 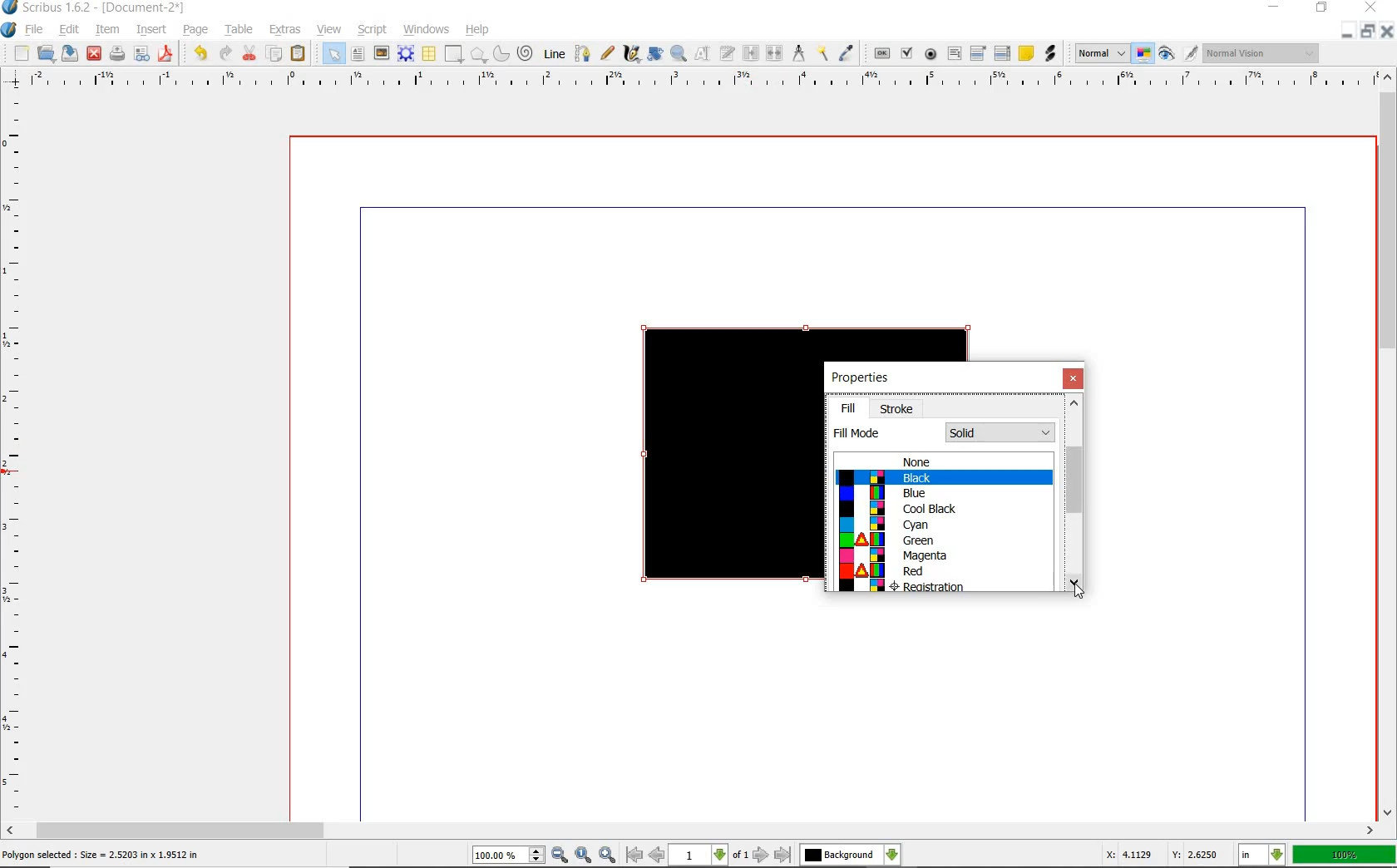 I want to click on free hand line, so click(x=607, y=52).